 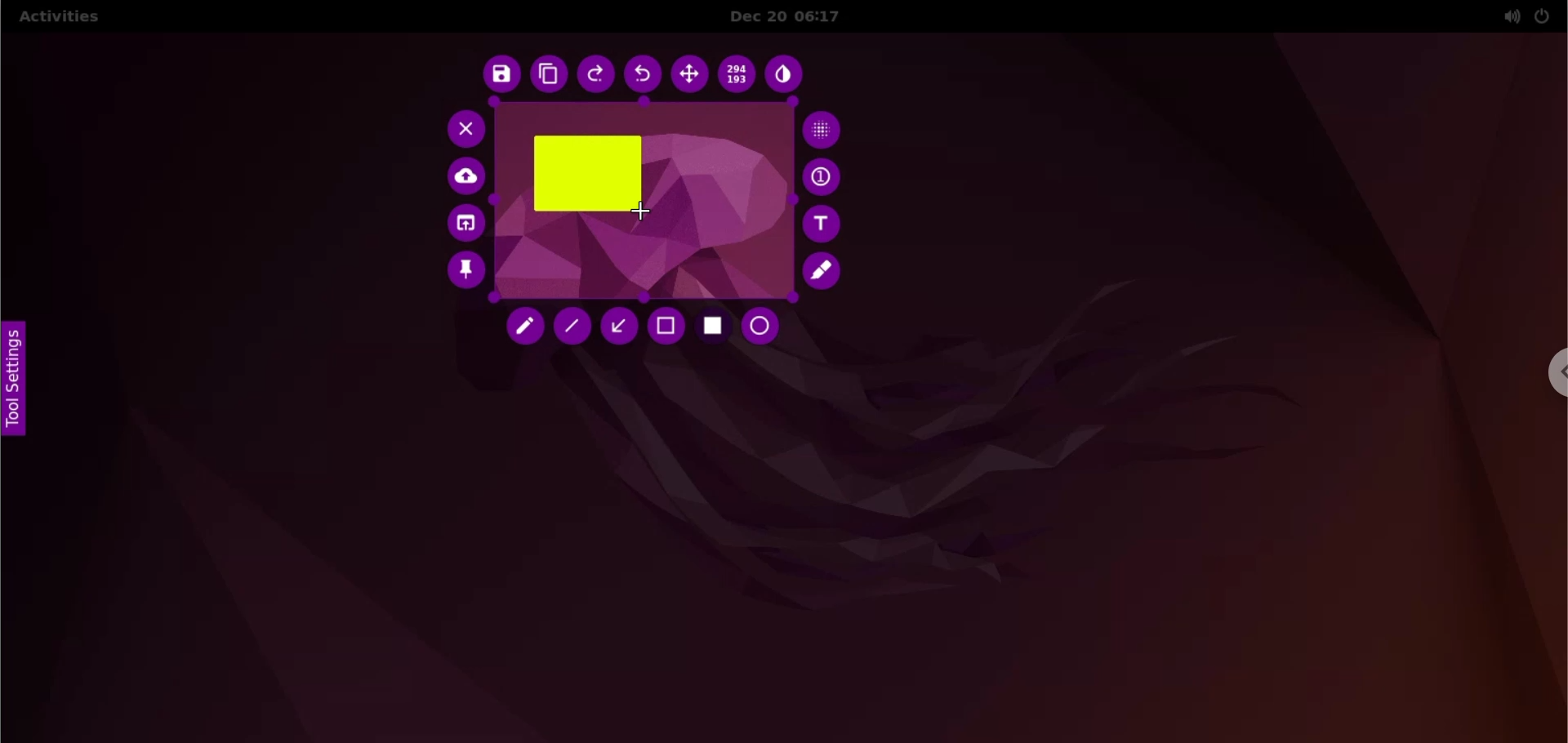 I want to click on cancel capture, so click(x=461, y=128).